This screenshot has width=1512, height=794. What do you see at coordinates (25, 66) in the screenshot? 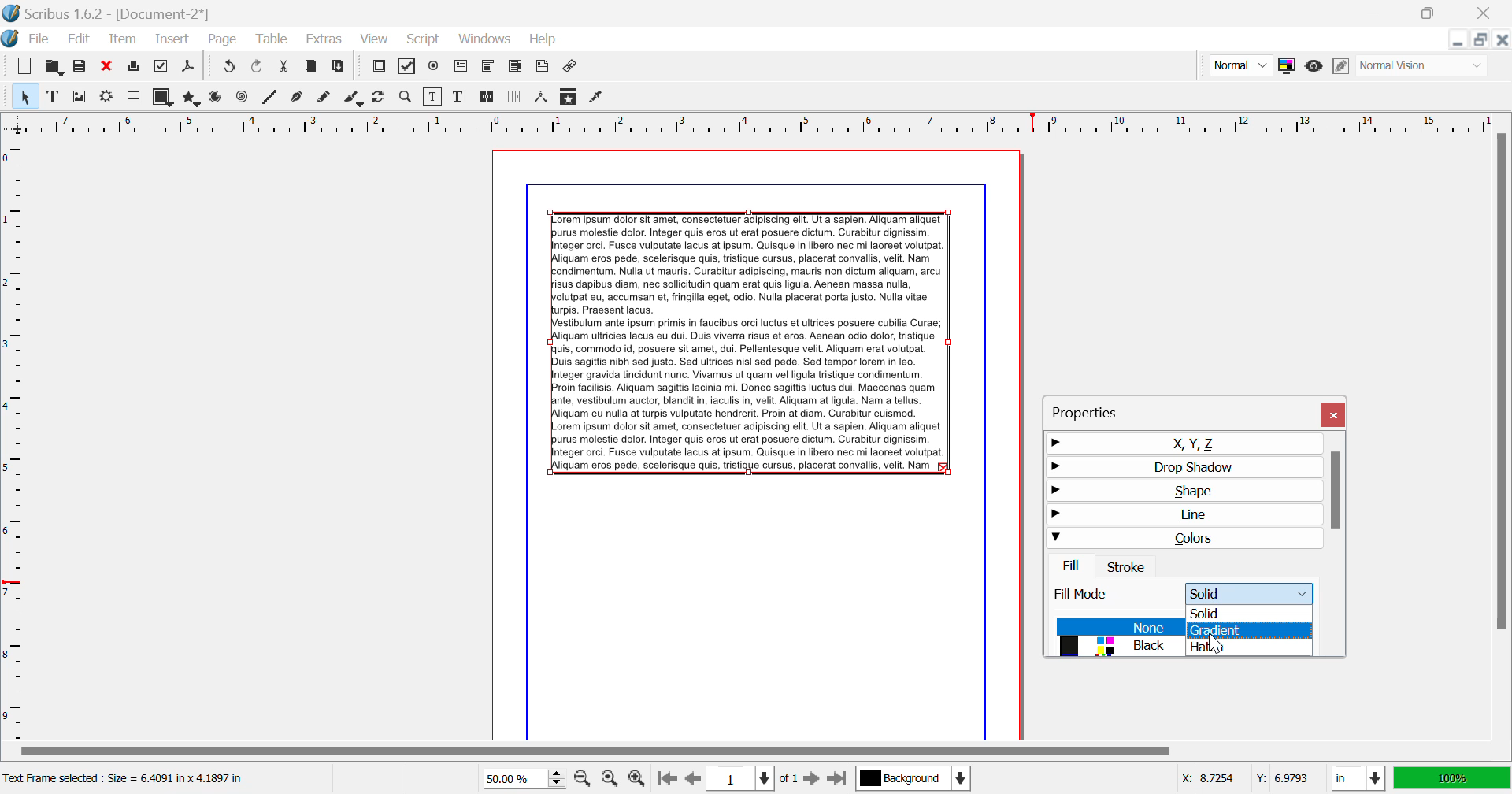
I see `New` at bounding box center [25, 66].